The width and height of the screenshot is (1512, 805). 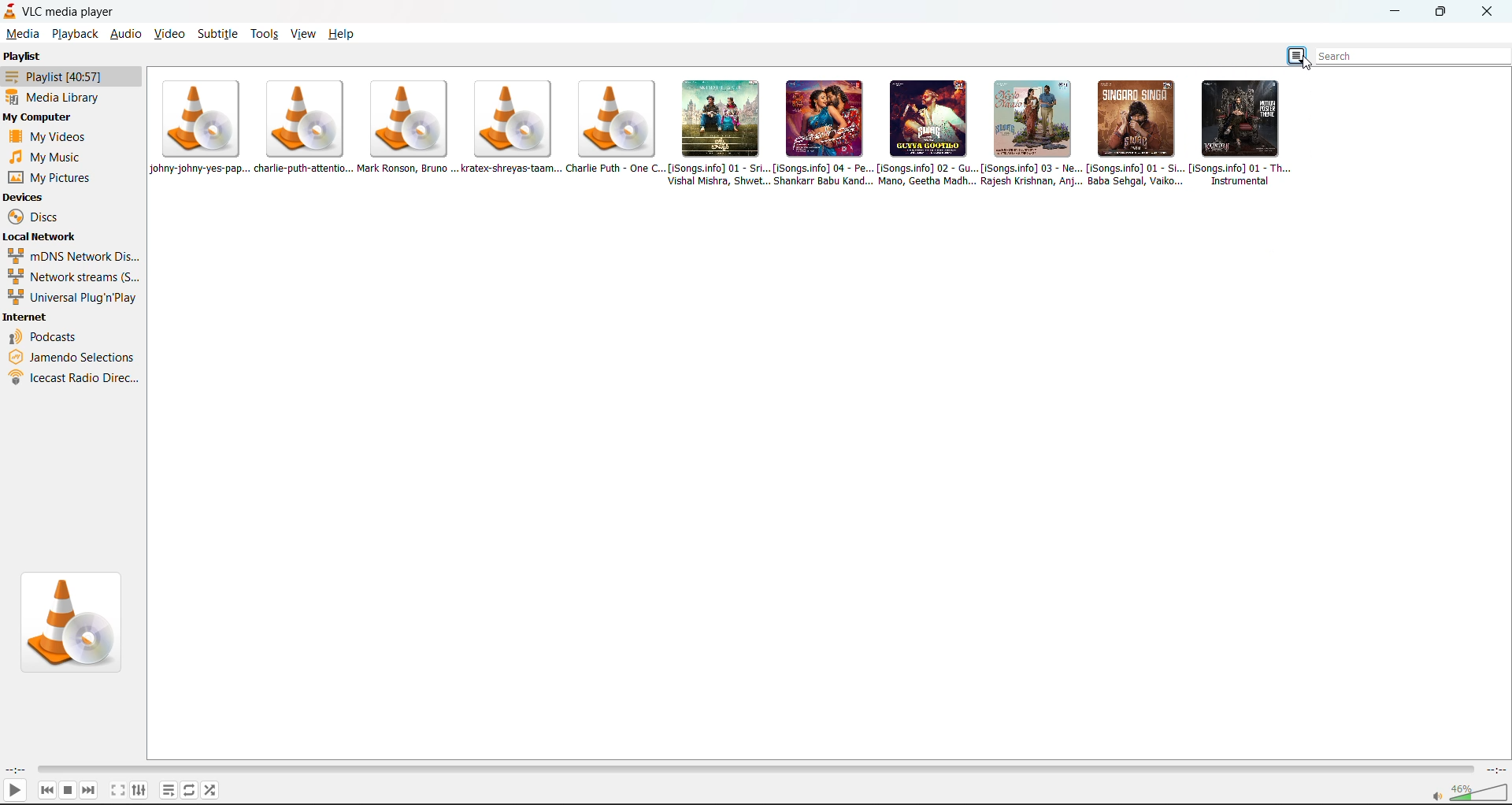 I want to click on video, so click(x=169, y=34).